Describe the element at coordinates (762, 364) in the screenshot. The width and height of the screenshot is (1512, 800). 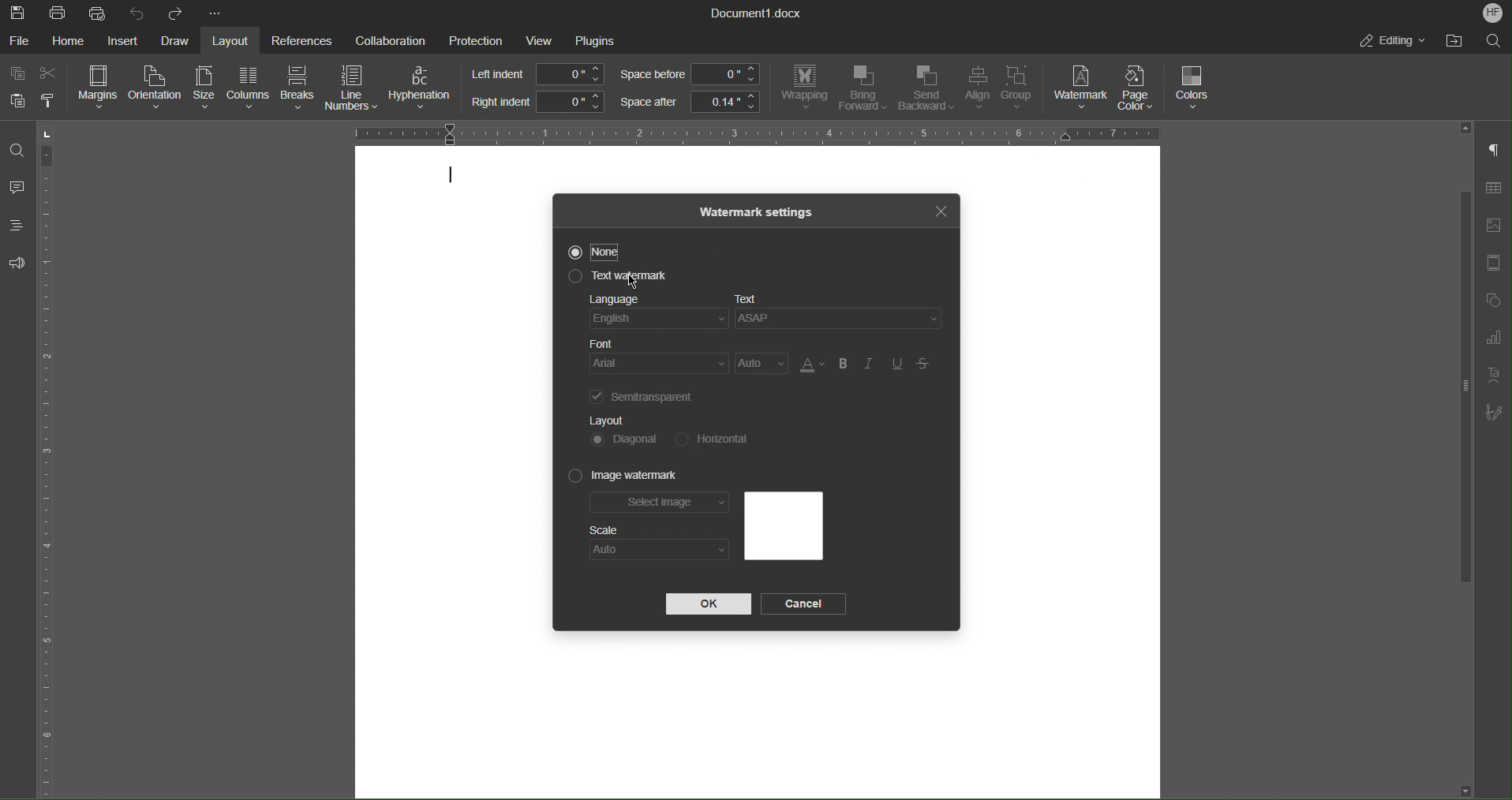
I see `Auto` at that location.